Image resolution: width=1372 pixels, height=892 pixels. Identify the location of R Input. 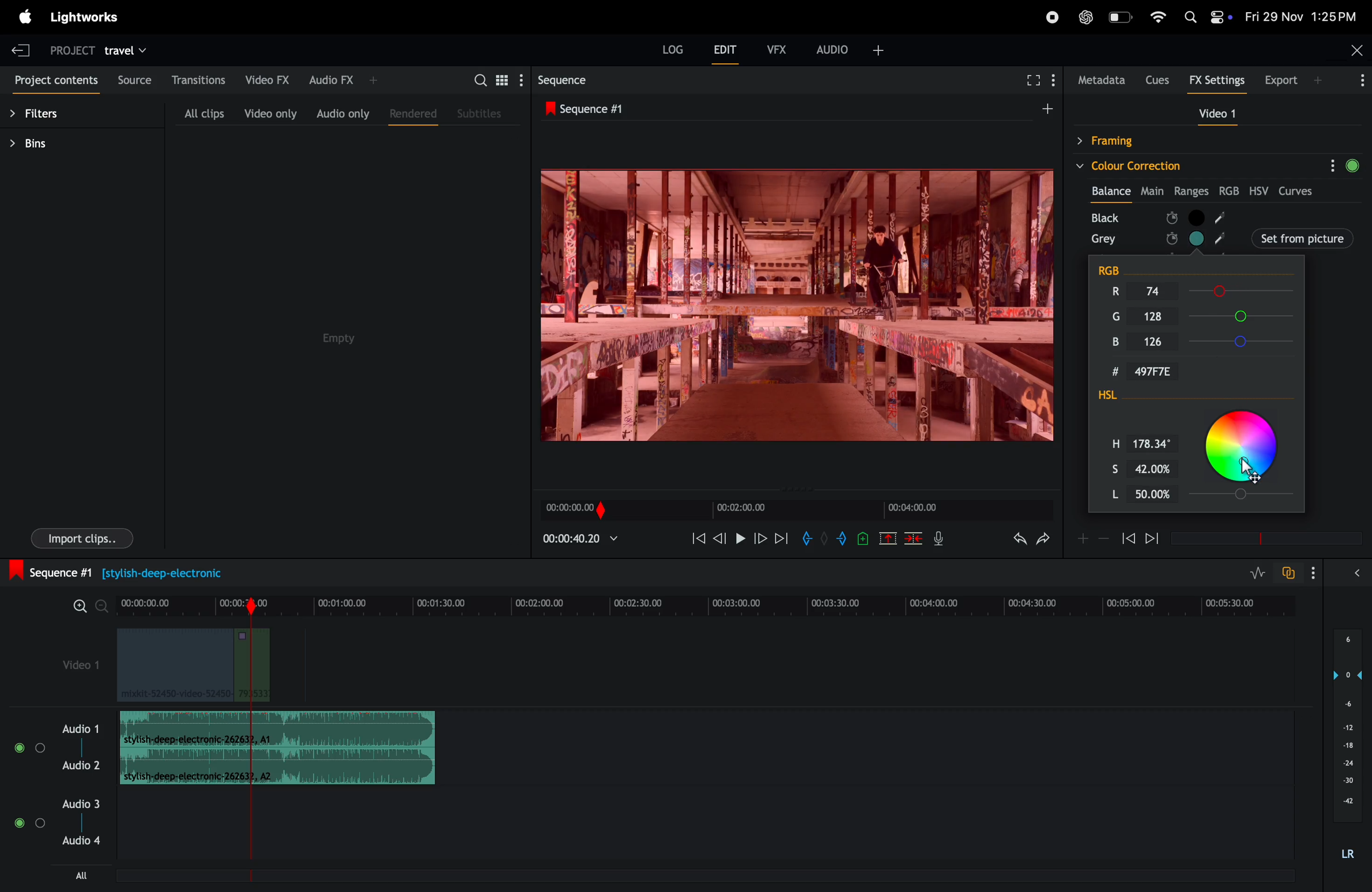
(1162, 292).